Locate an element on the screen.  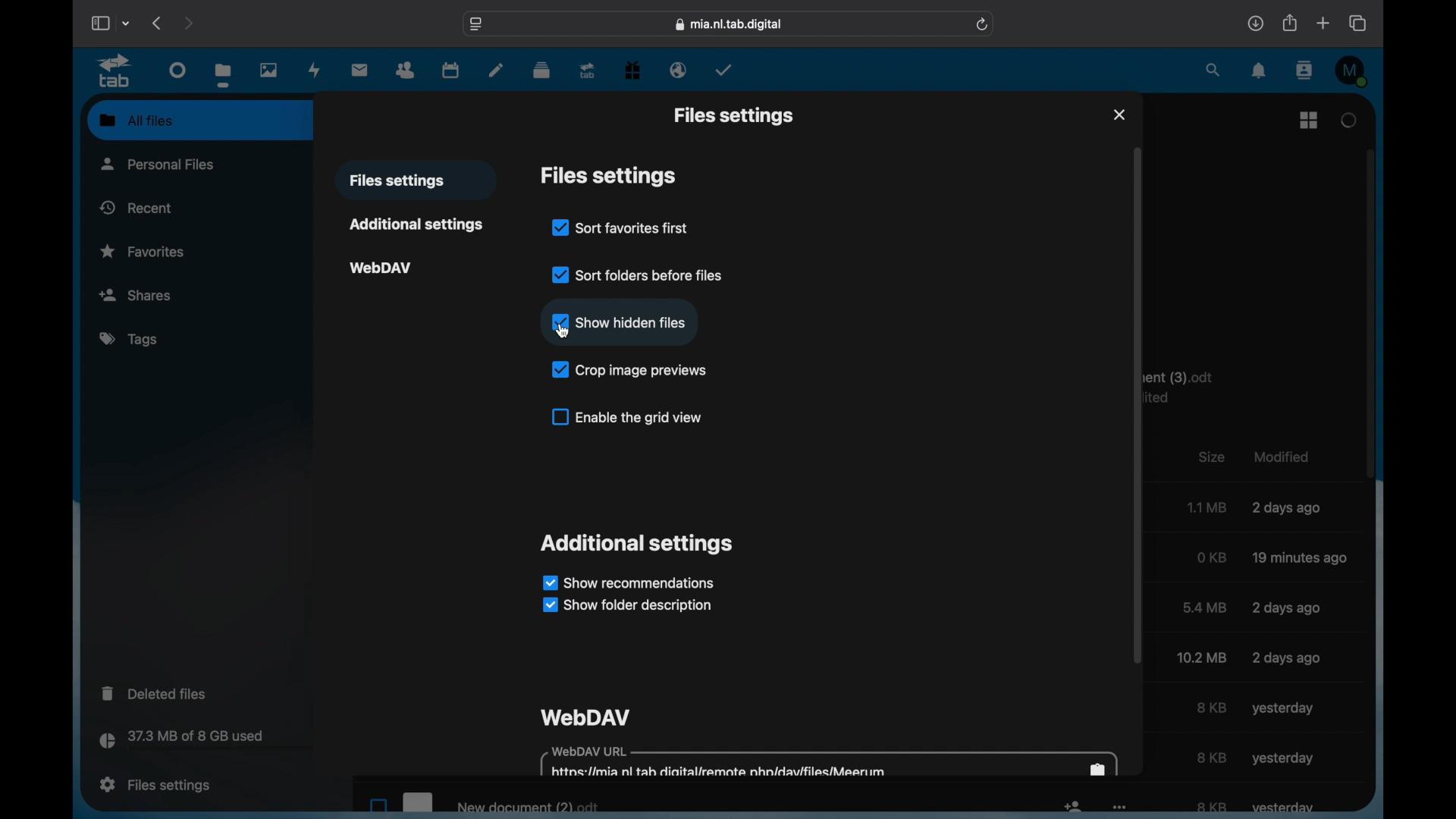
refresh is located at coordinates (983, 25).